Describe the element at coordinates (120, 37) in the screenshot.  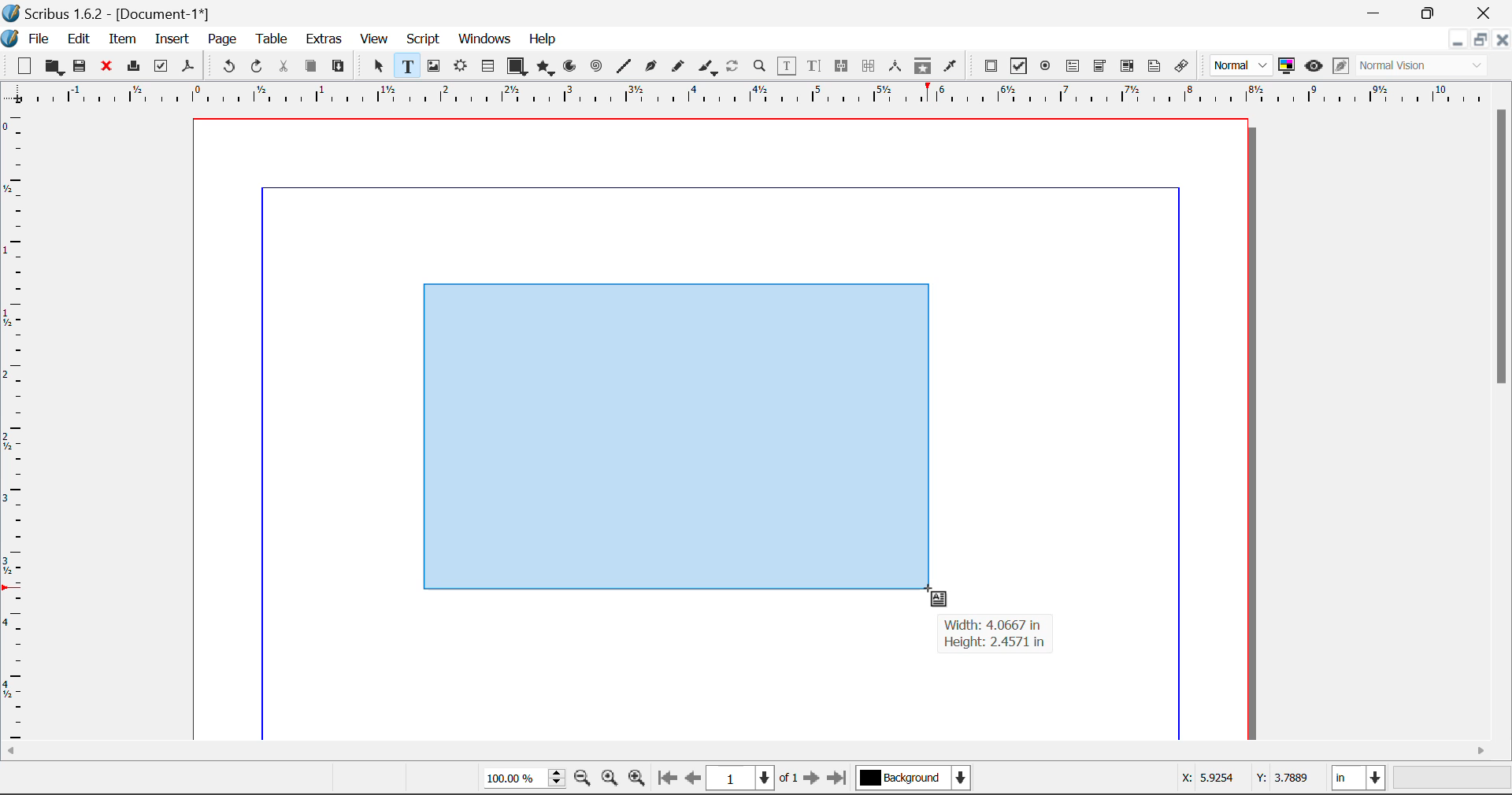
I see `Item` at that location.